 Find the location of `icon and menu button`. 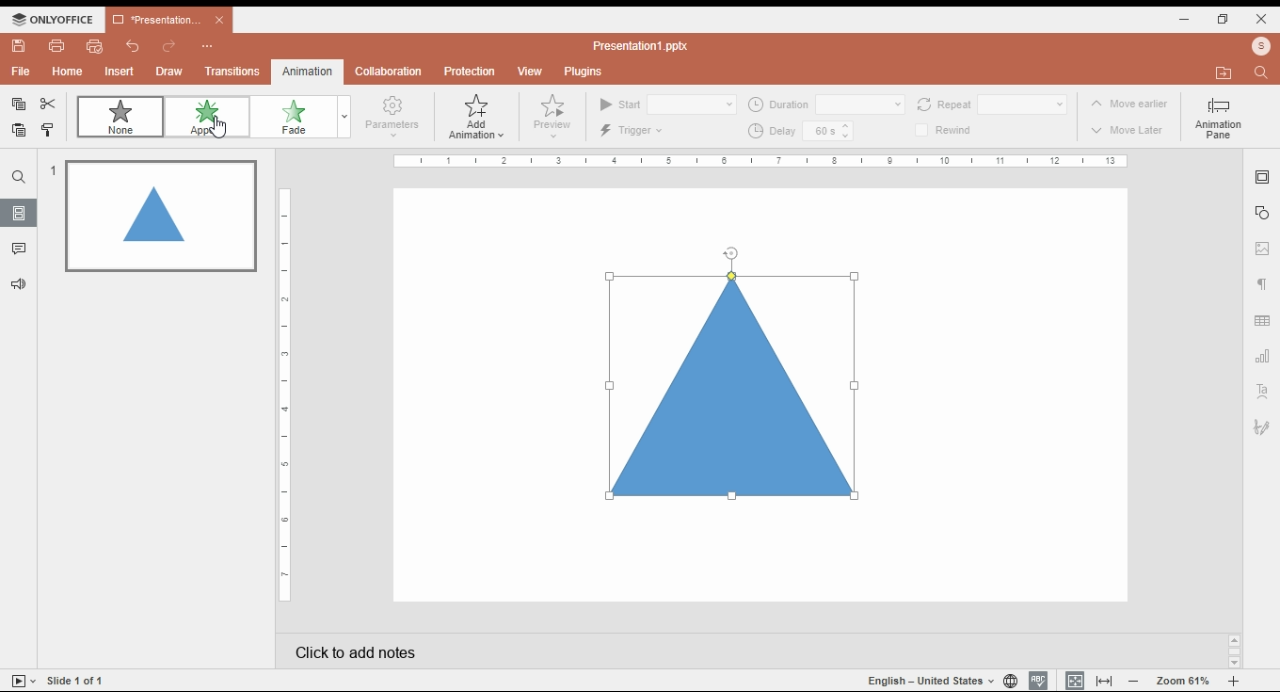

icon and menu button is located at coordinates (52, 19).